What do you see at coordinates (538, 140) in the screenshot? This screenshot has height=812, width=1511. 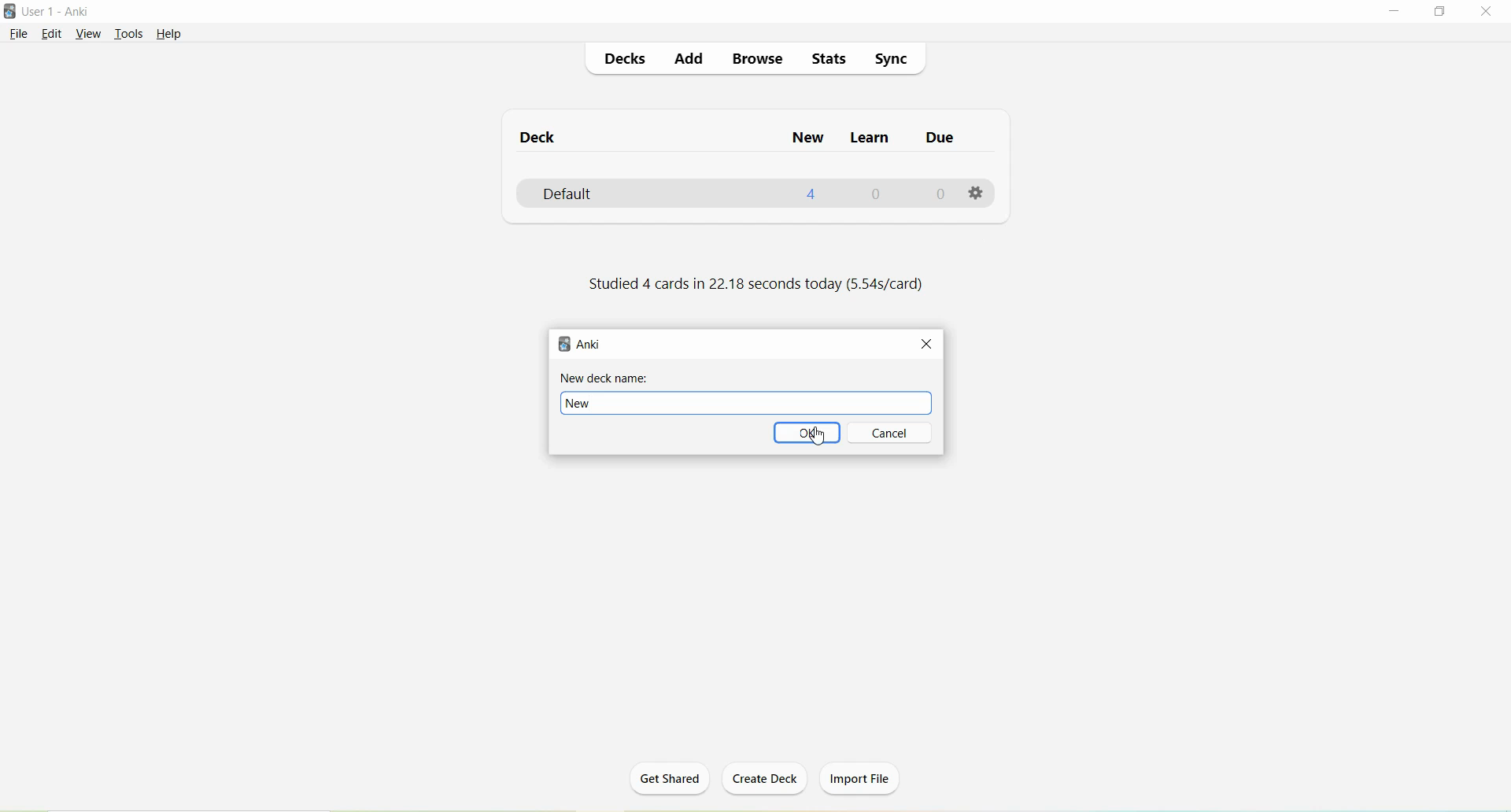 I see `Deck` at bounding box center [538, 140].